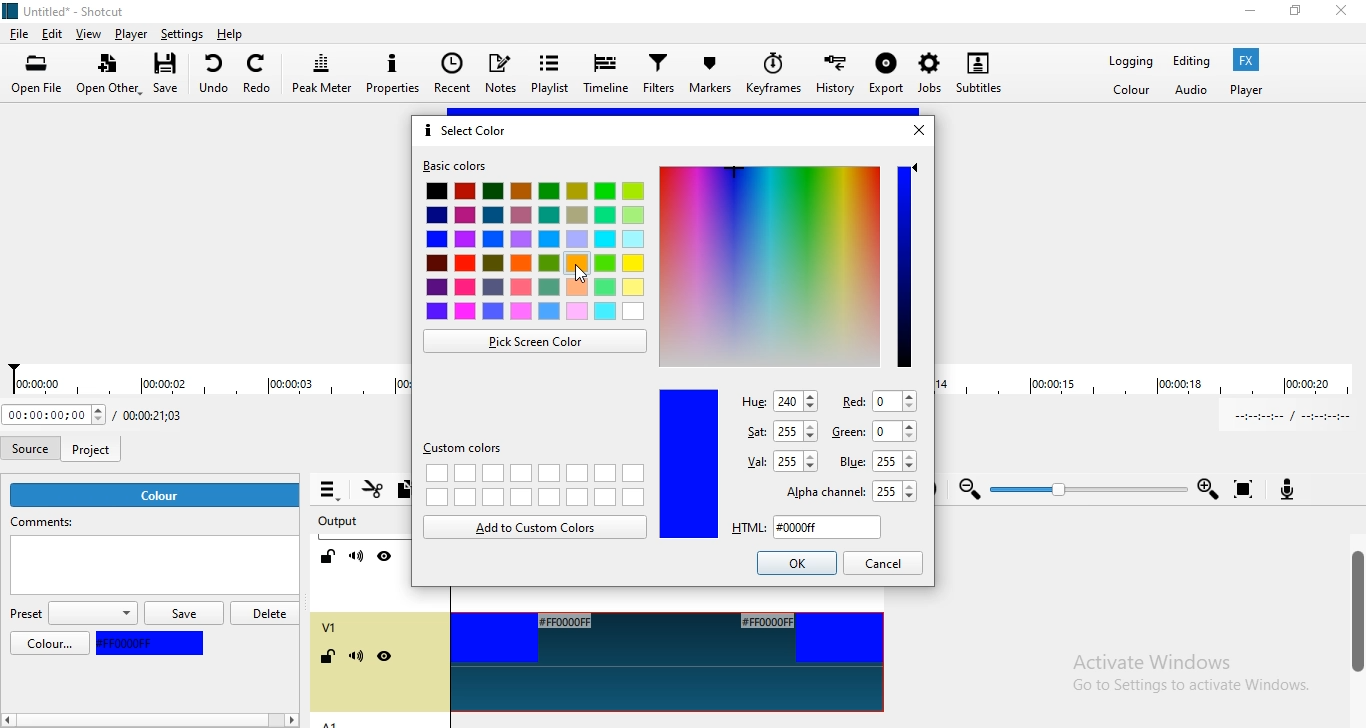  What do you see at coordinates (18, 34) in the screenshot?
I see `File` at bounding box center [18, 34].